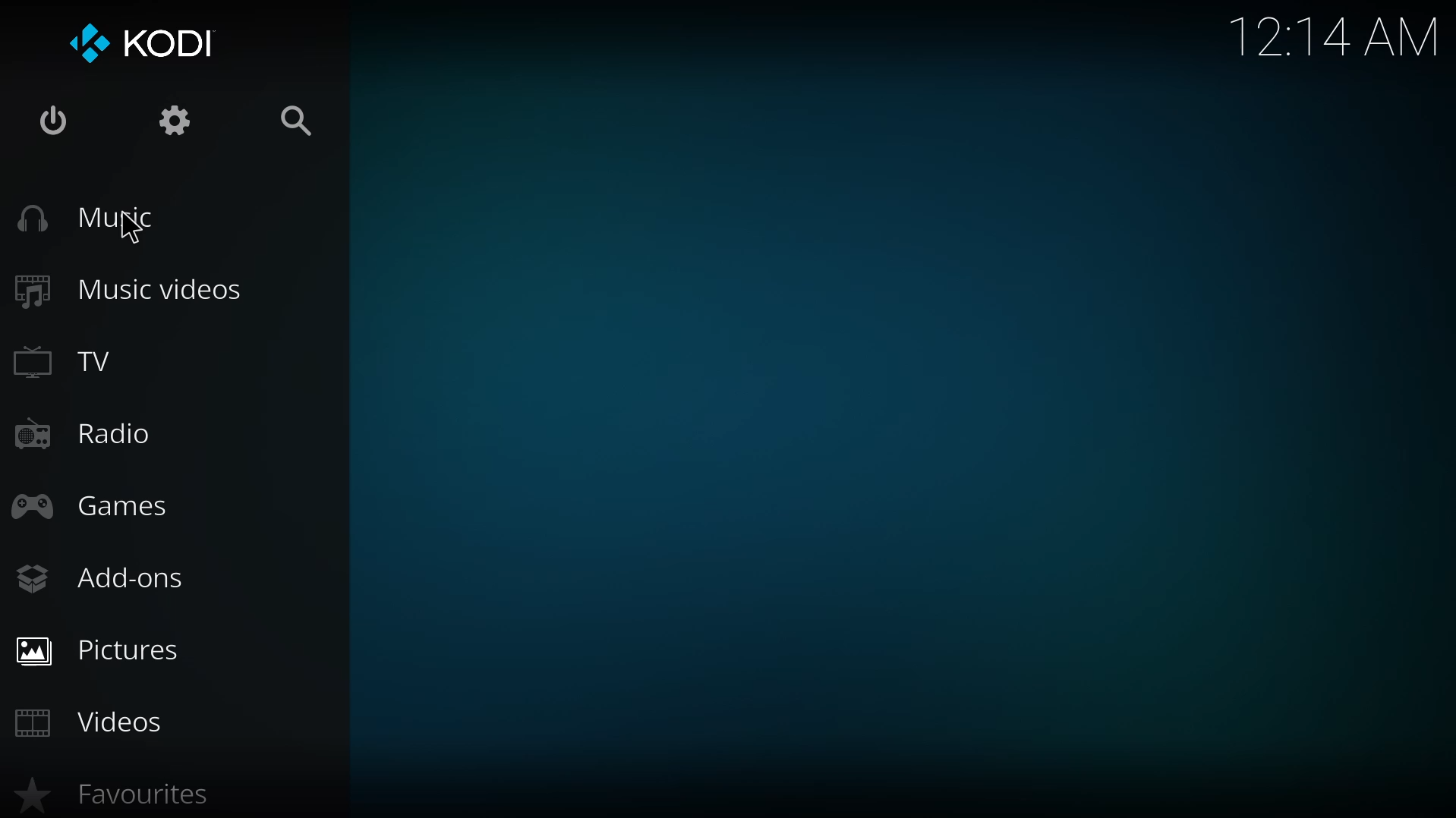 The image size is (1456, 818). Describe the element at coordinates (133, 795) in the screenshot. I see `favorites` at that location.